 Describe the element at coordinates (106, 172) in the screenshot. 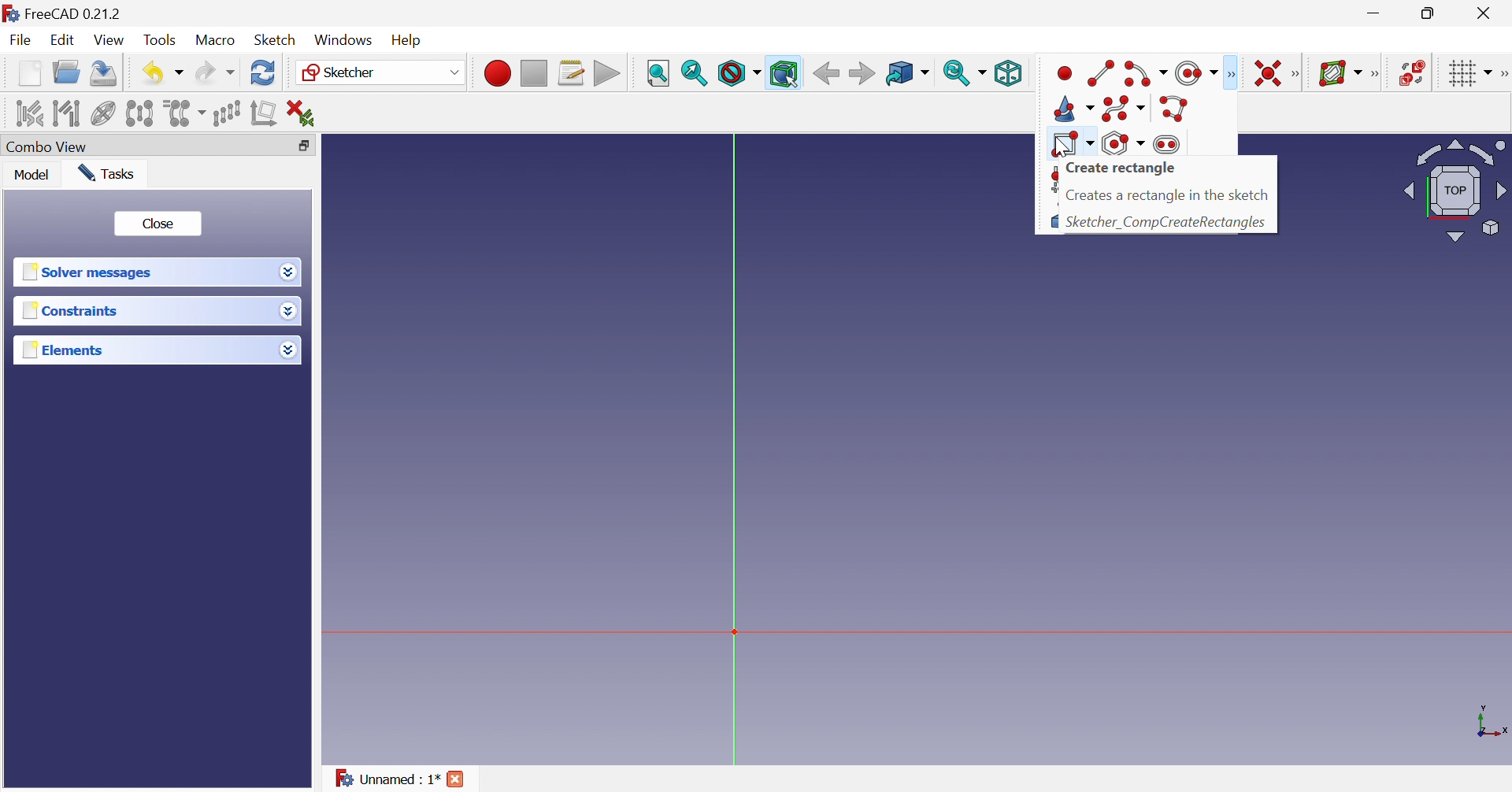

I see `Tasks` at that location.